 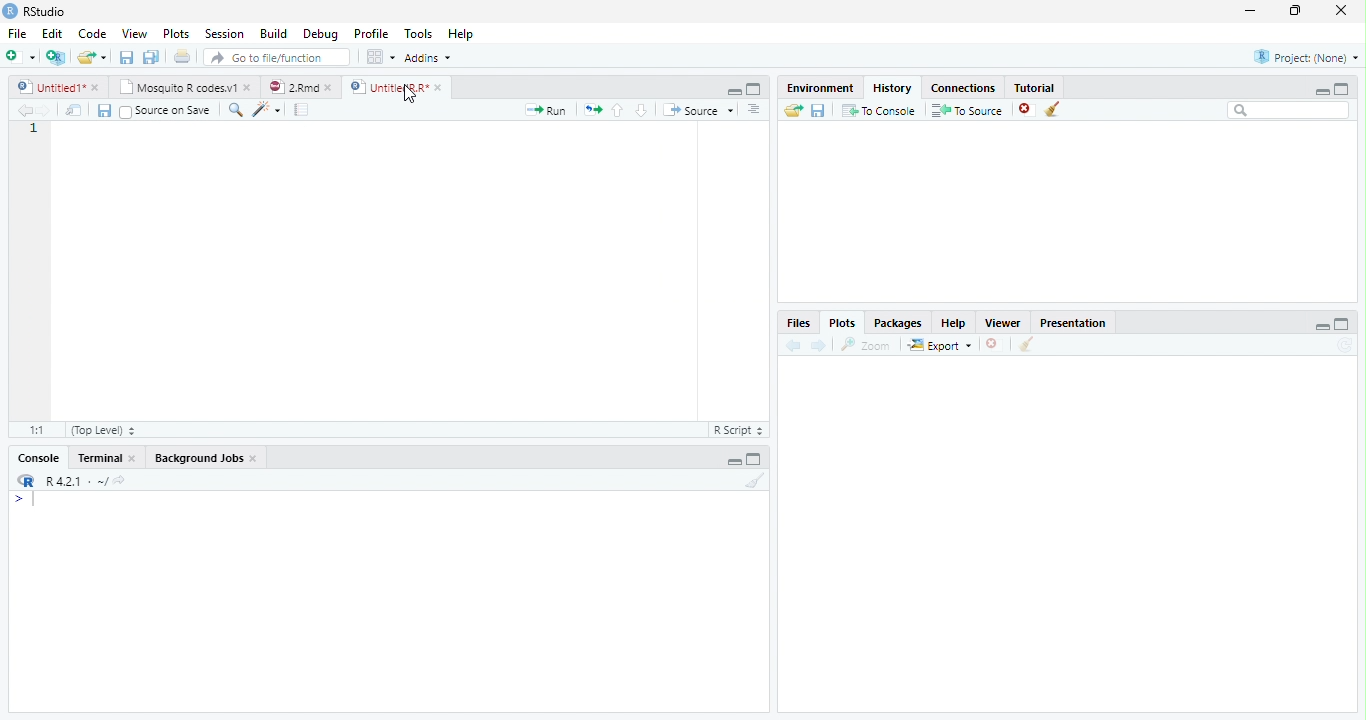 What do you see at coordinates (617, 110) in the screenshot?
I see `Go to previous section/chunk` at bounding box center [617, 110].